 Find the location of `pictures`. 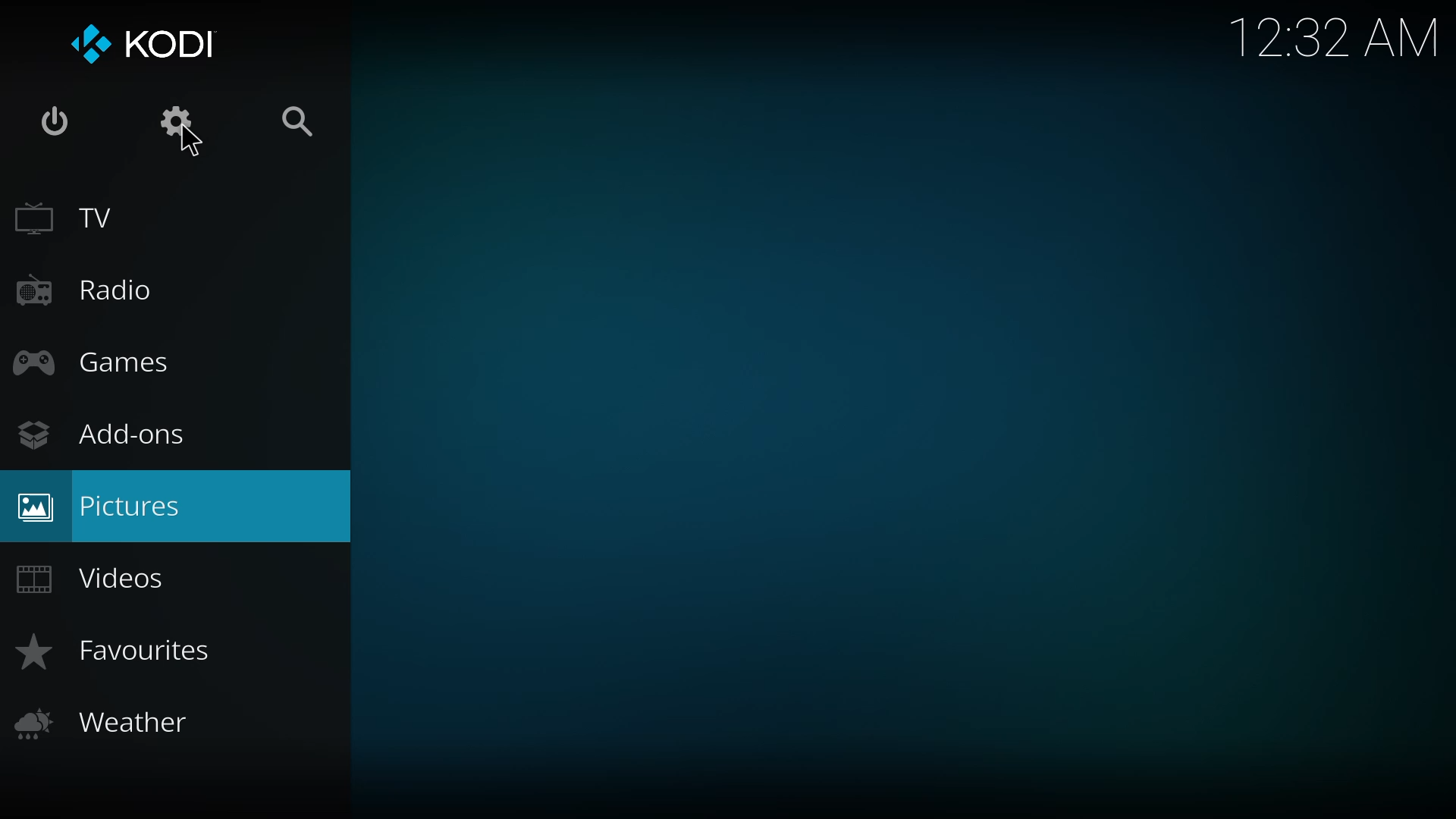

pictures is located at coordinates (105, 503).